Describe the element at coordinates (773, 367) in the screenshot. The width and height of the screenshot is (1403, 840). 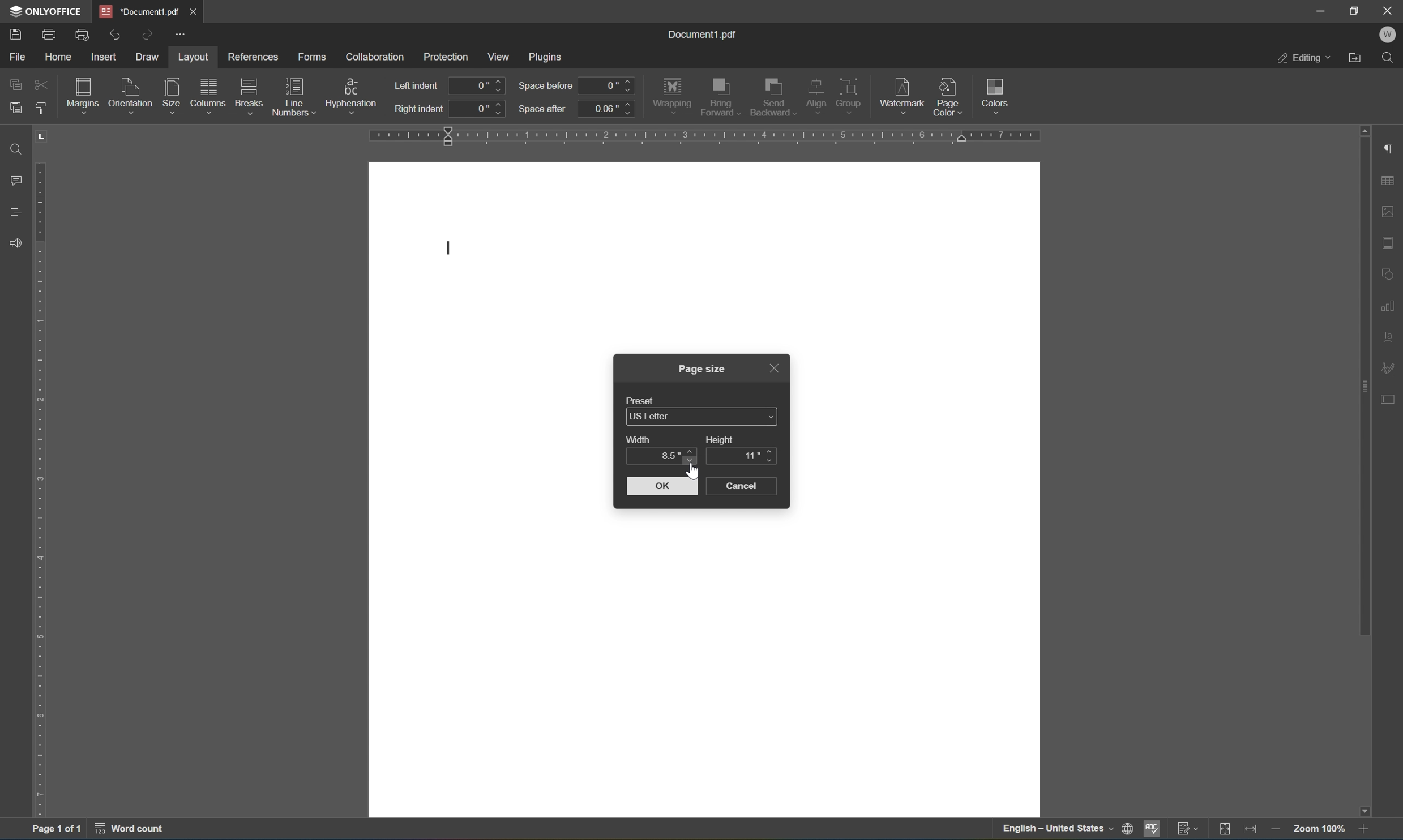
I see `close` at that location.